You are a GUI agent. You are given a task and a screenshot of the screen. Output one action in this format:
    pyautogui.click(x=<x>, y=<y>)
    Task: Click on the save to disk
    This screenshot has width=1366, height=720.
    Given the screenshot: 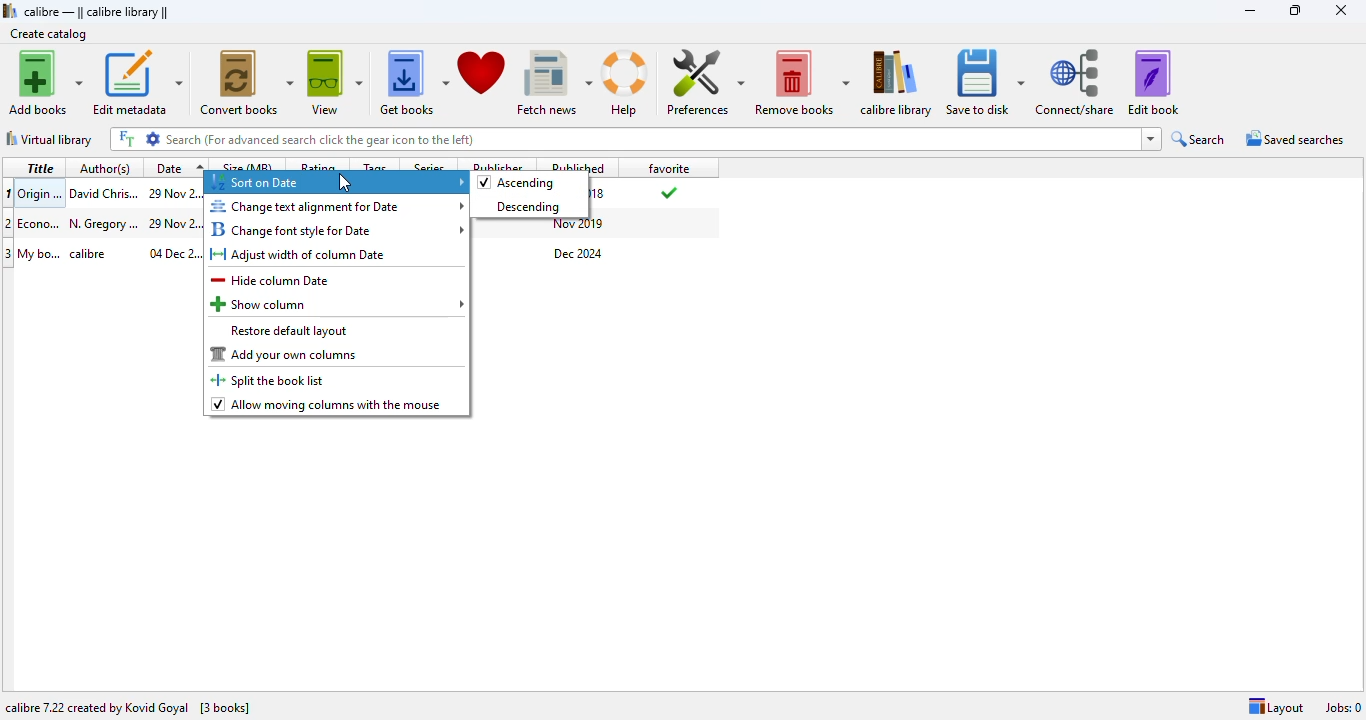 What is the action you would take?
    pyautogui.click(x=983, y=82)
    